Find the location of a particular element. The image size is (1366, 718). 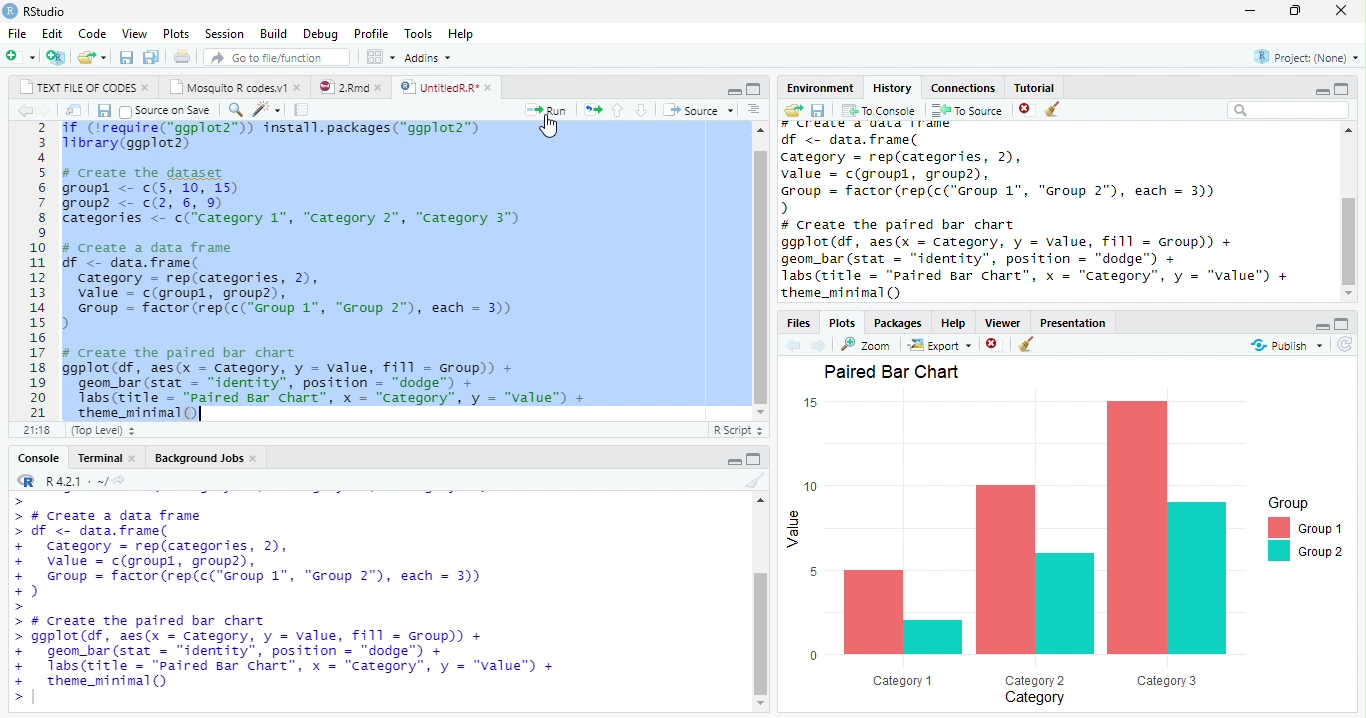

export is located at coordinates (936, 345).